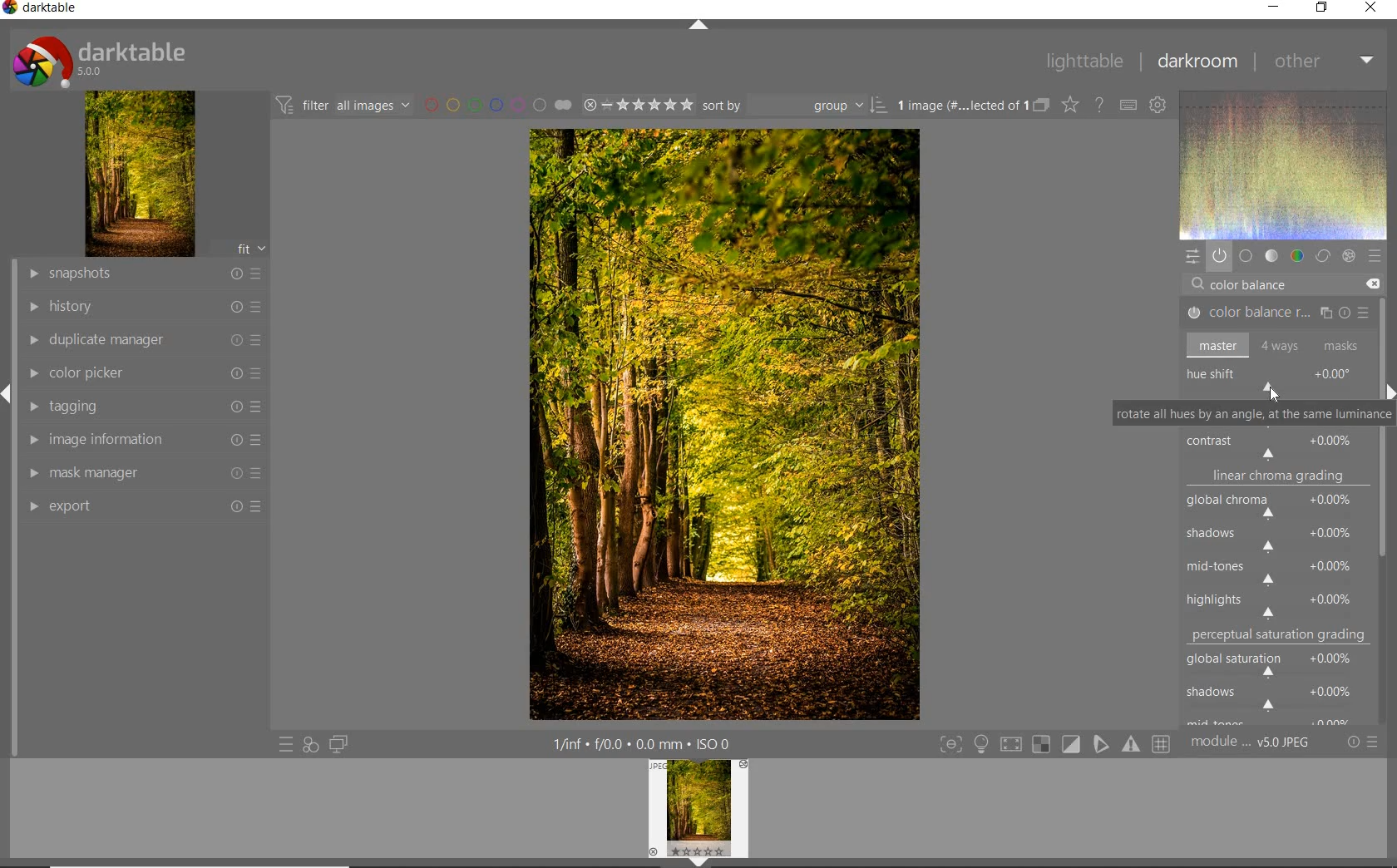  What do you see at coordinates (1084, 62) in the screenshot?
I see `lighttable` at bounding box center [1084, 62].